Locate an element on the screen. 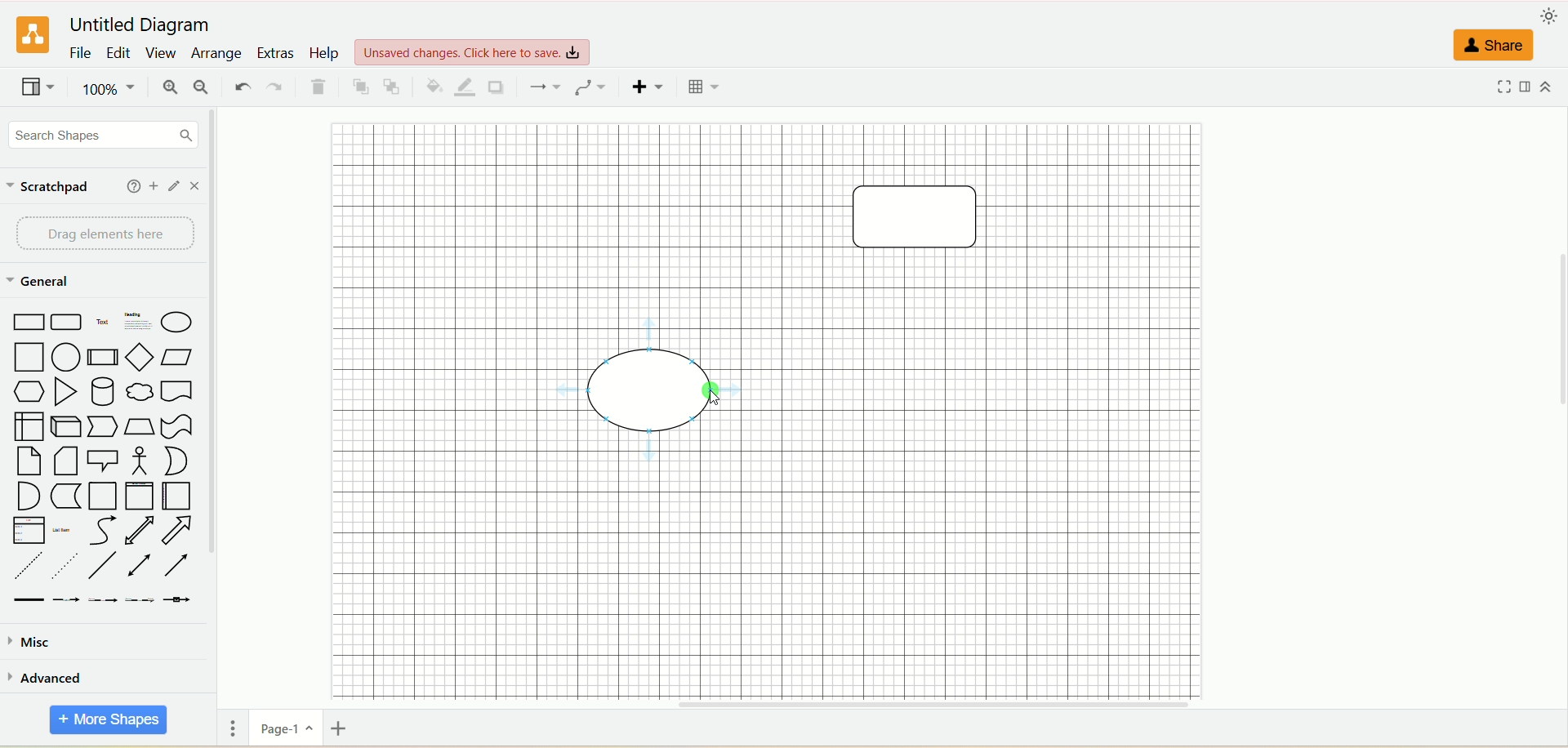  help is located at coordinates (325, 53).